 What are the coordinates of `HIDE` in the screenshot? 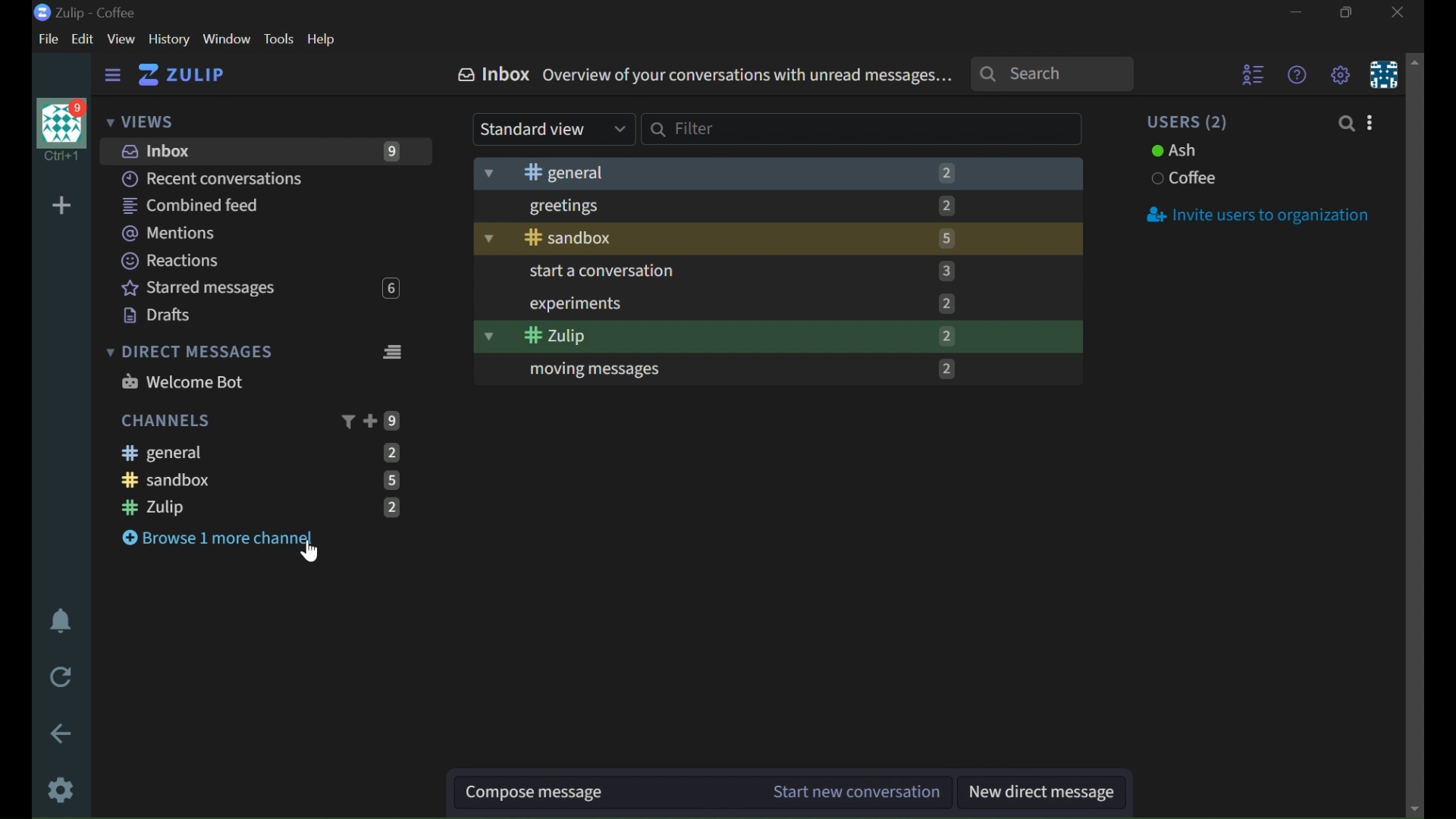 It's located at (110, 76).